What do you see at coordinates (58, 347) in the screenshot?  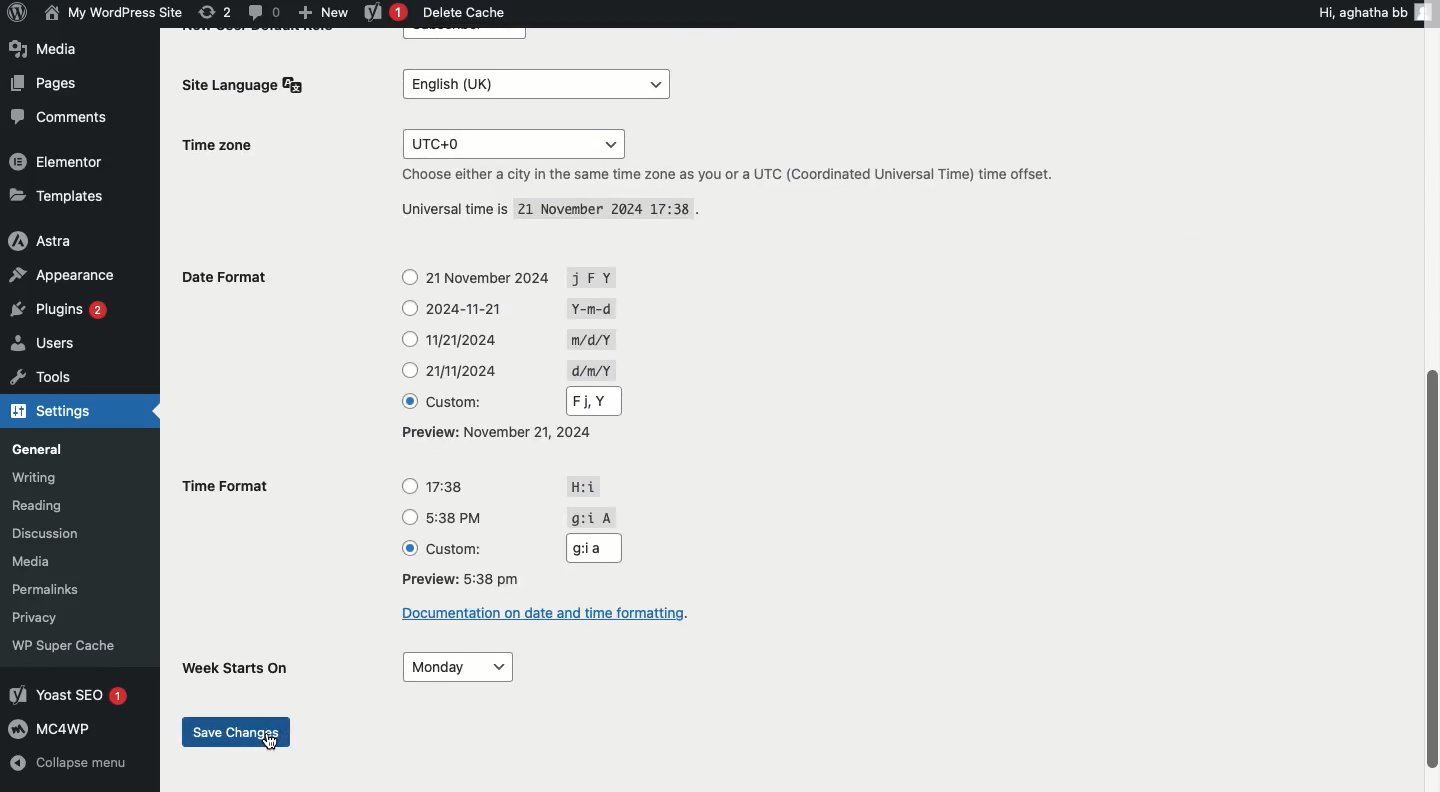 I see `Users` at bounding box center [58, 347].